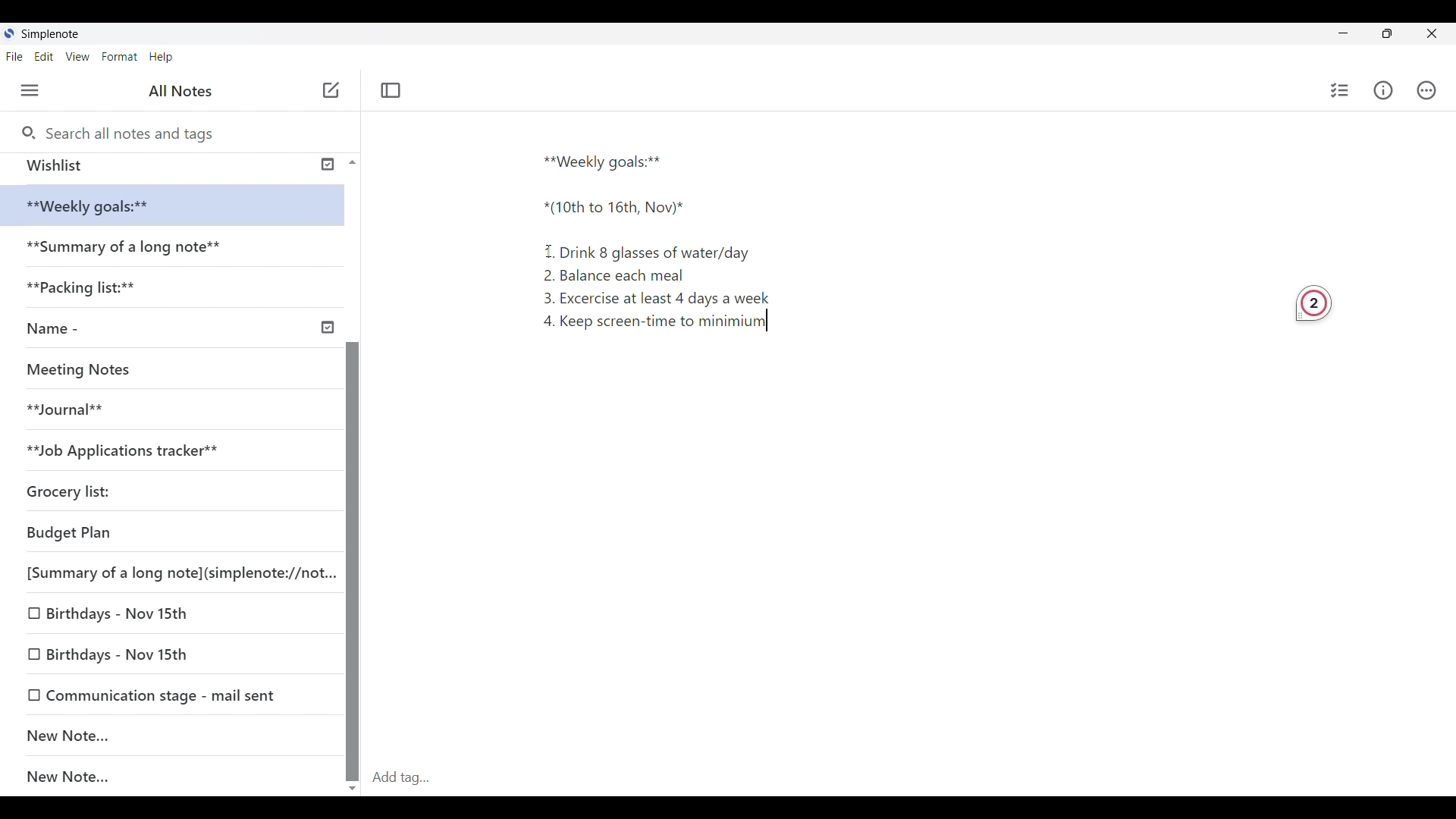 The width and height of the screenshot is (1456, 819). Describe the element at coordinates (353, 783) in the screenshot. I see `scroll down button` at that location.